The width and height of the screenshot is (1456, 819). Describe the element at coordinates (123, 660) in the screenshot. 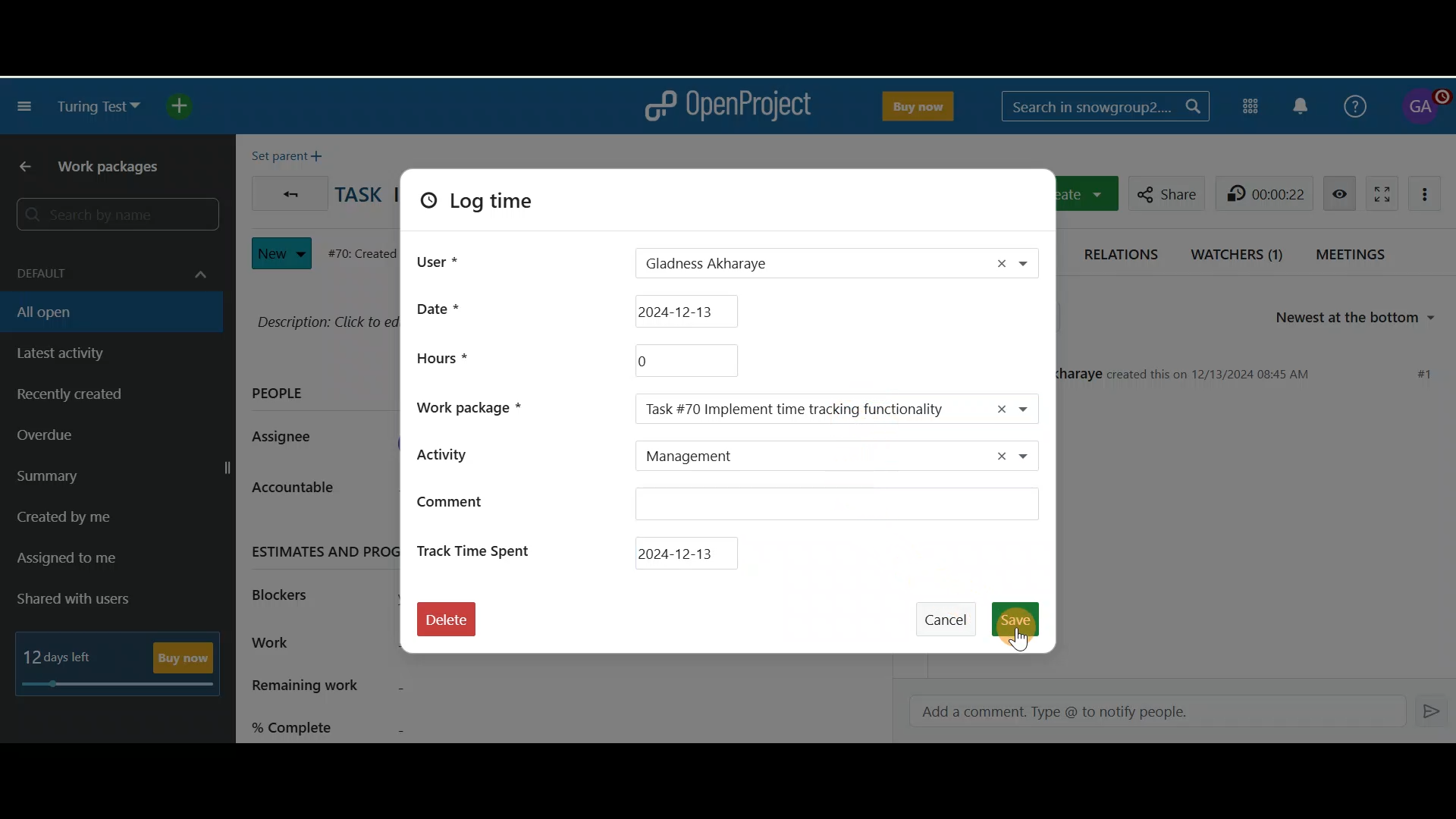

I see `12 days left - Buy Now` at that location.